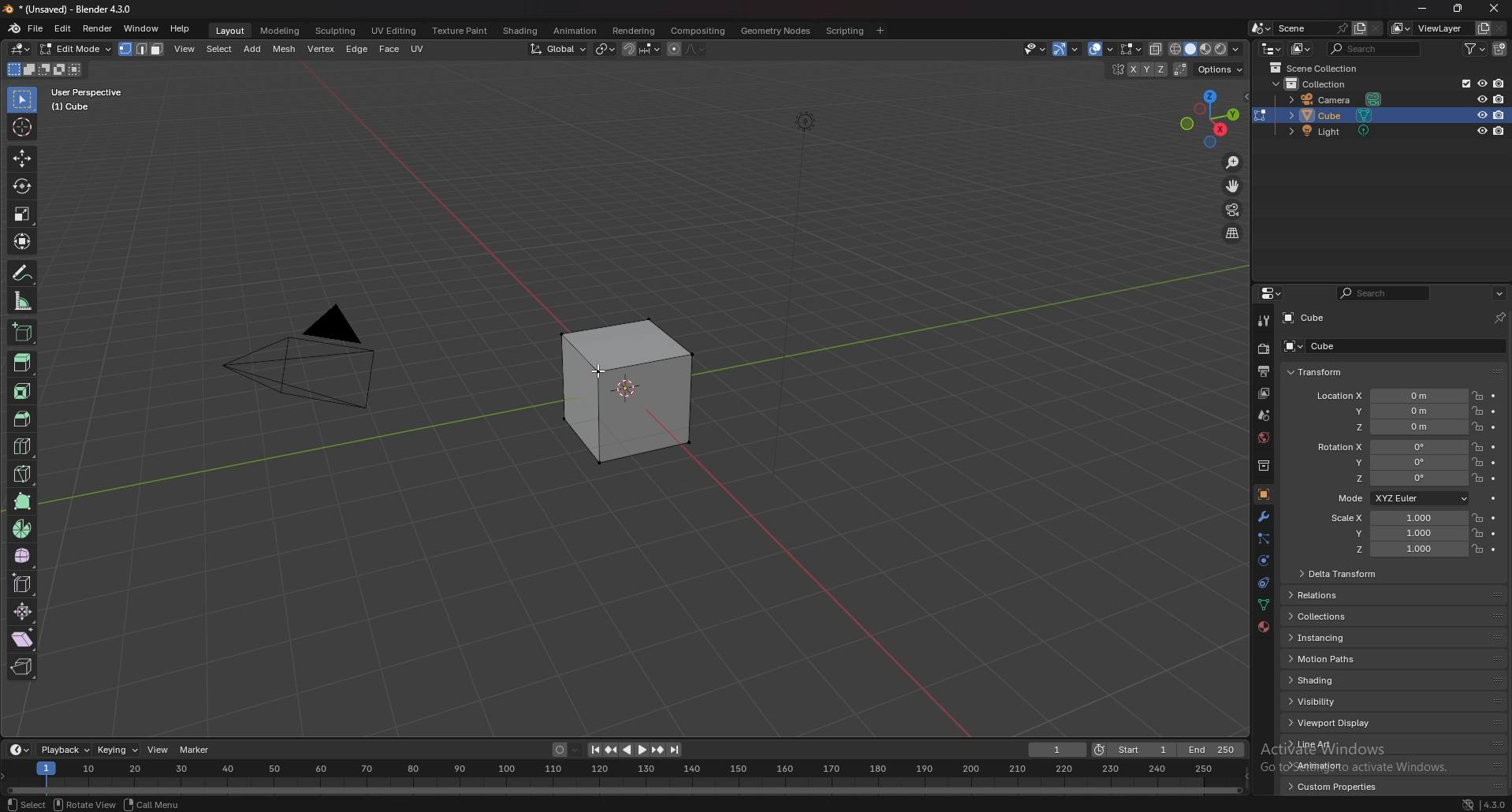  What do you see at coordinates (611, 751) in the screenshot?
I see `jump to keyframe` at bounding box center [611, 751].